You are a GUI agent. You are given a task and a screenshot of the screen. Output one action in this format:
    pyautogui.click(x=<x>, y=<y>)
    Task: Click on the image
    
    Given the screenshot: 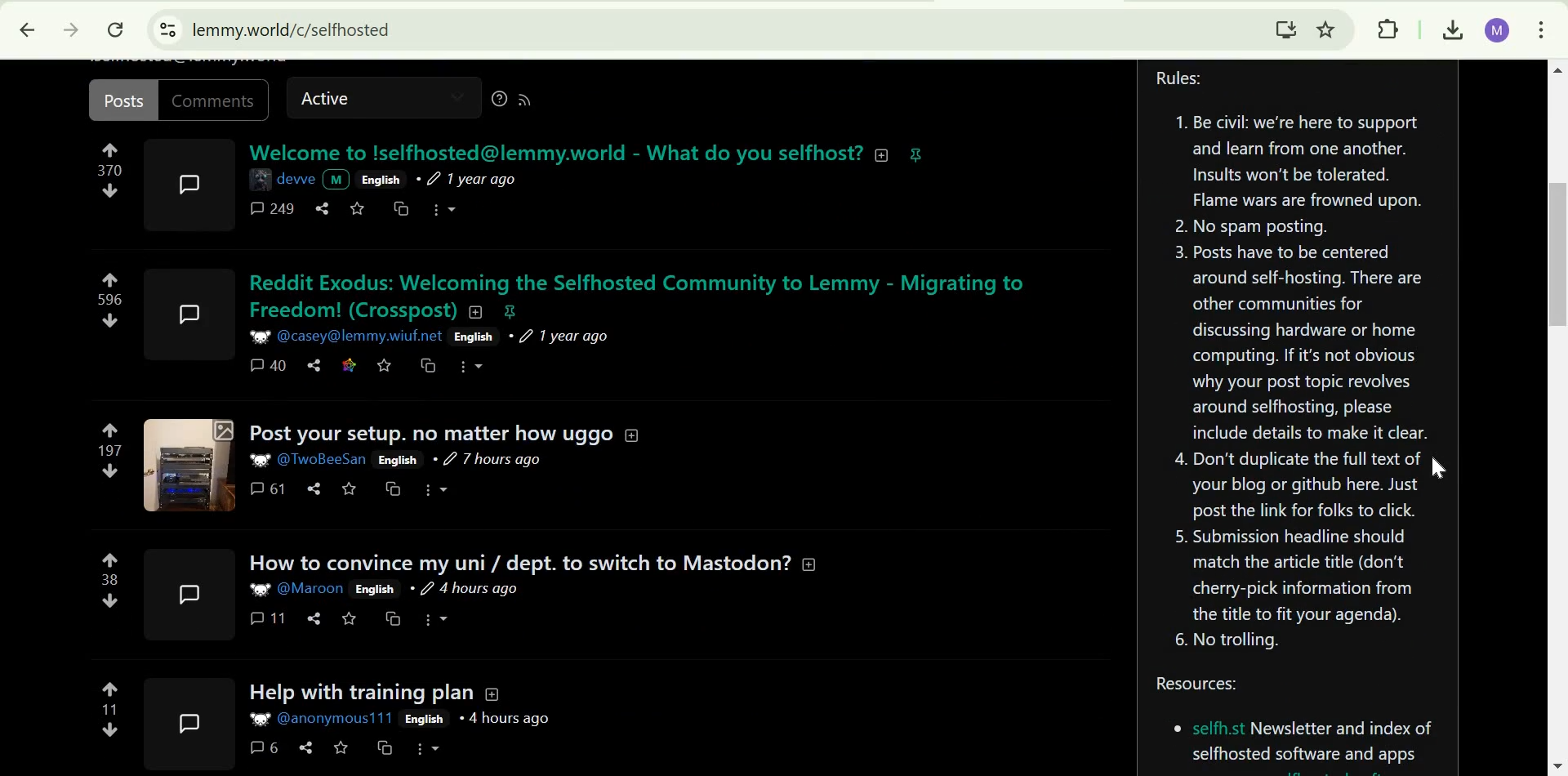 What is the action you would take?
    pyautogui.click(x=257, y=720)
    